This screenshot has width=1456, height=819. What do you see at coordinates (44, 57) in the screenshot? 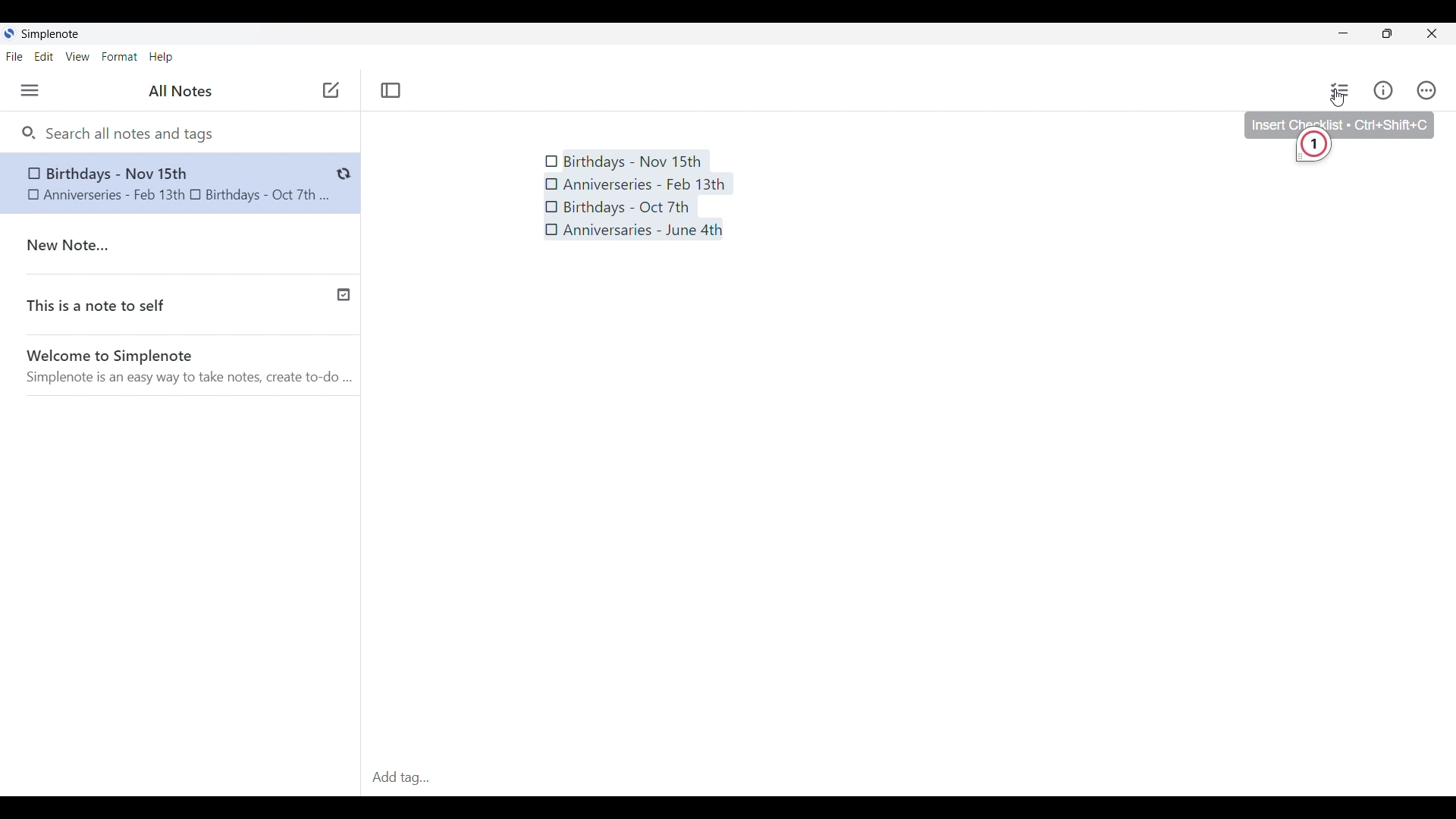
I see `Edit menu` at bounding box center [44, 57].